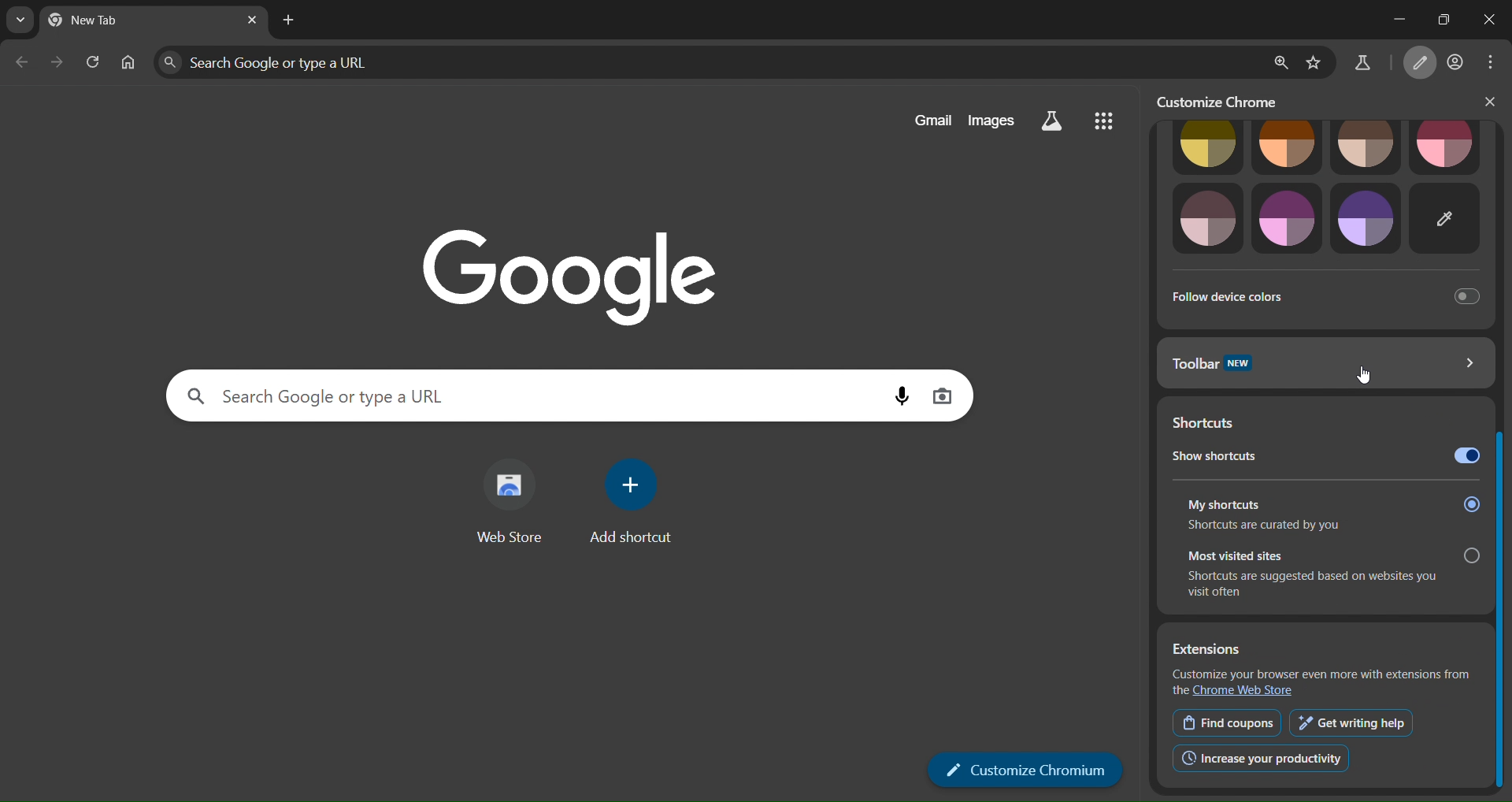 The image size is (1512, 802). What do you see at coordinates (1322, 674) in the screenshot?
I see `Customize your browser even more with extensions from` at bounding box center [1322, 674].